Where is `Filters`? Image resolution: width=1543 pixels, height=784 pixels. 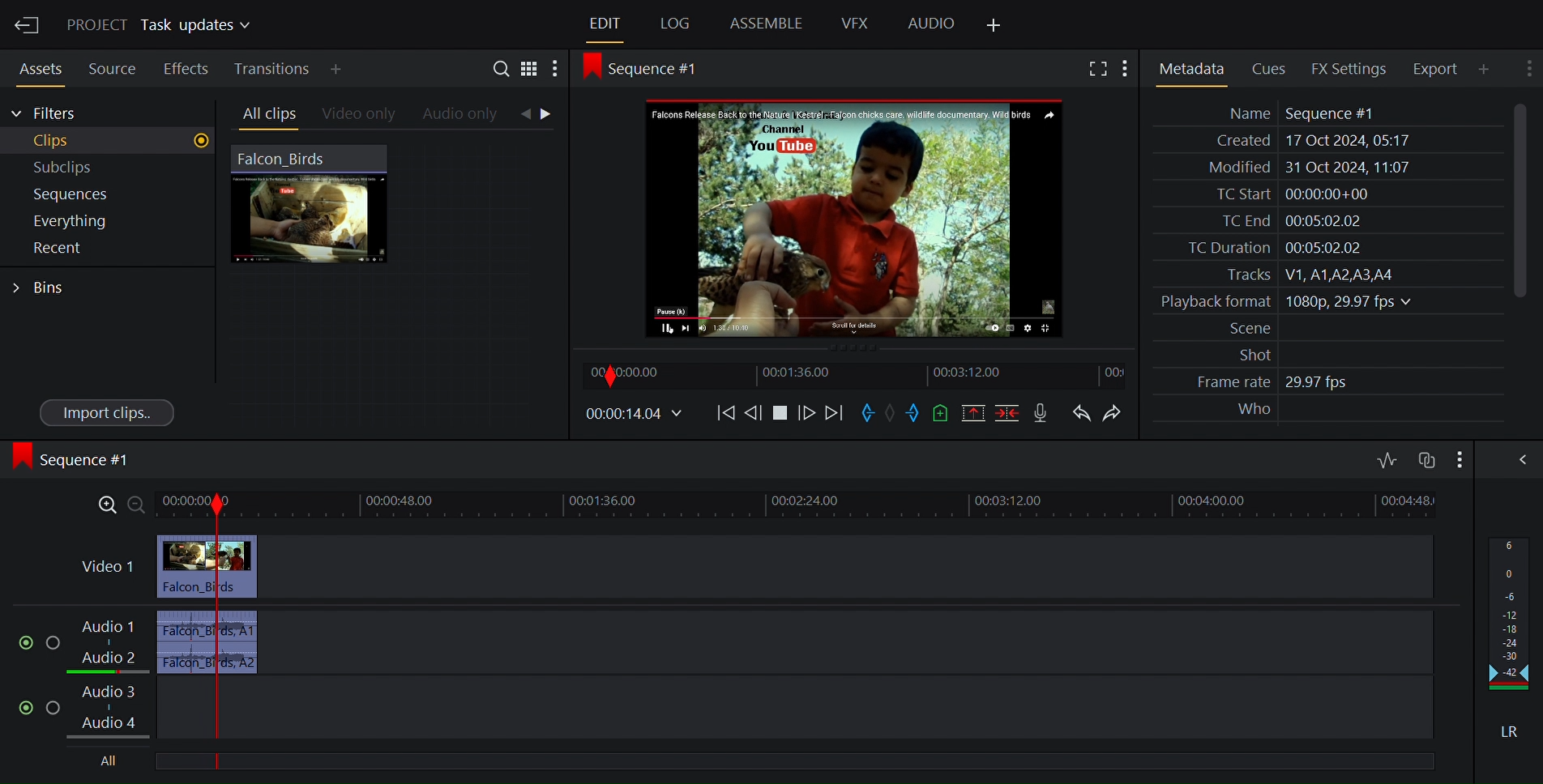
Filters is located at coordinates (46, 114).